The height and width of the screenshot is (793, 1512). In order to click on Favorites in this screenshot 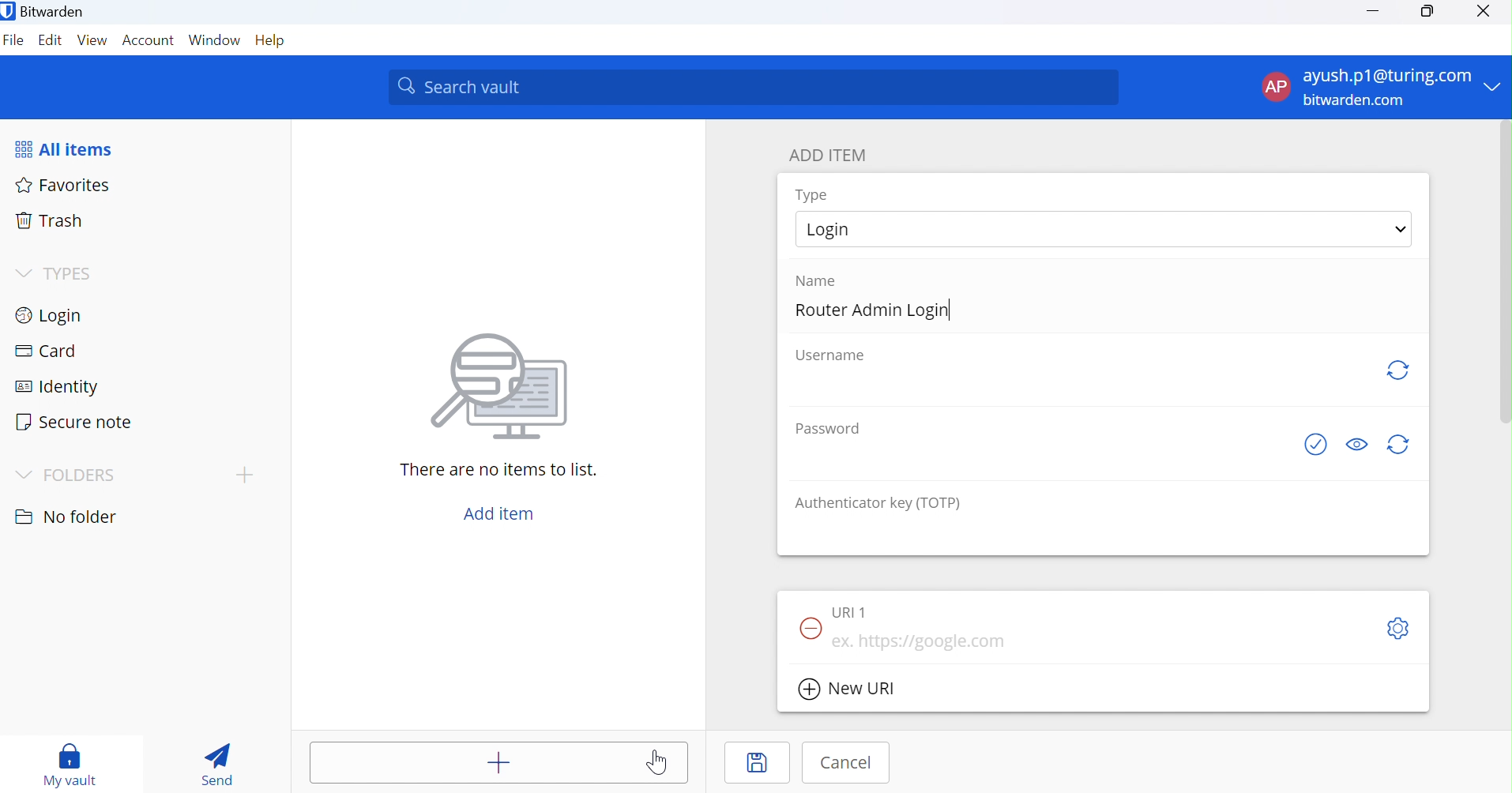, I will do `click(65, 184)`.